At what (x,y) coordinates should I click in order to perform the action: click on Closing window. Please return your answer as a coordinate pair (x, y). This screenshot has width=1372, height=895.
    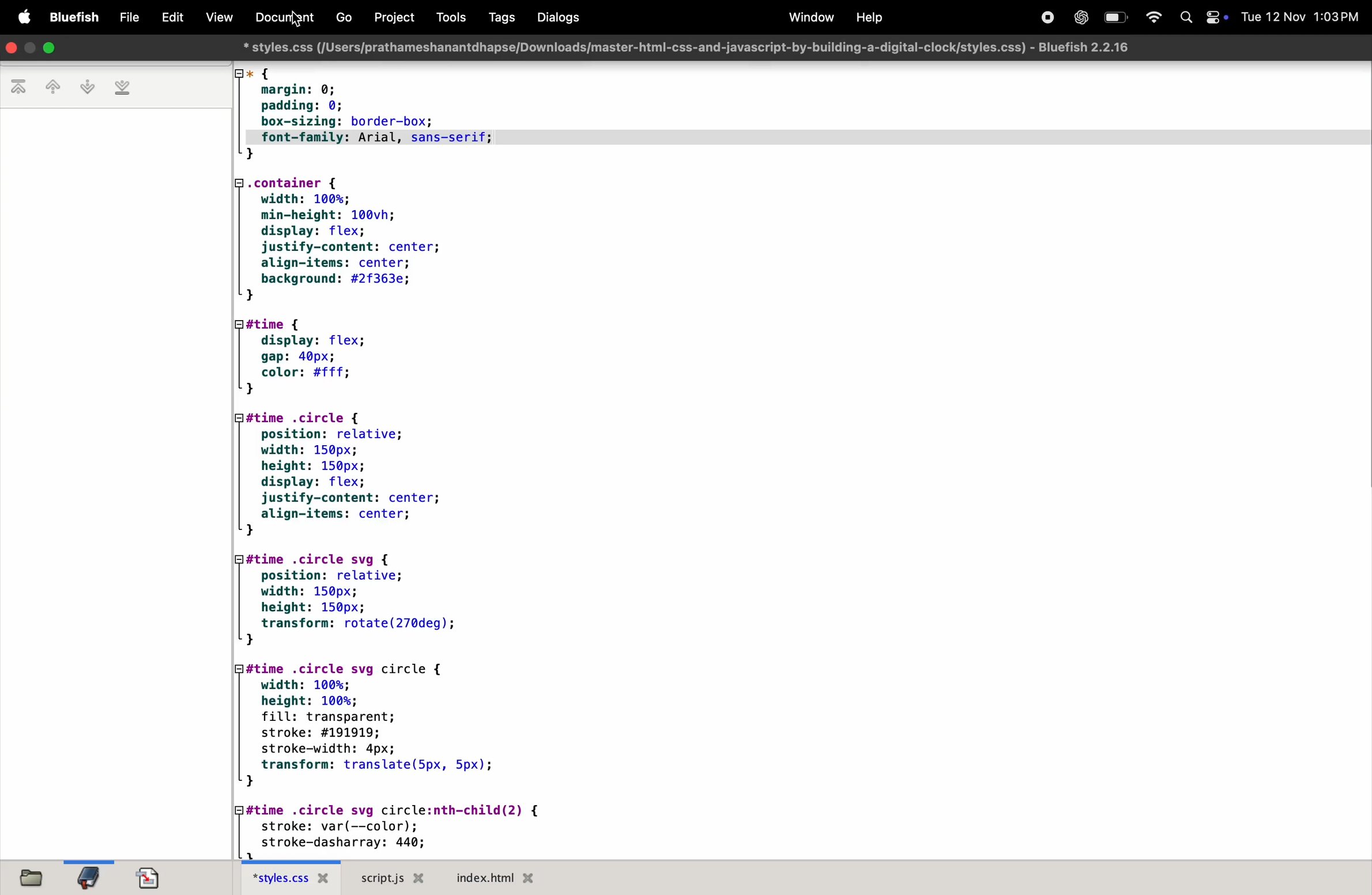
    Looking at the image, I should click on (10, 48).